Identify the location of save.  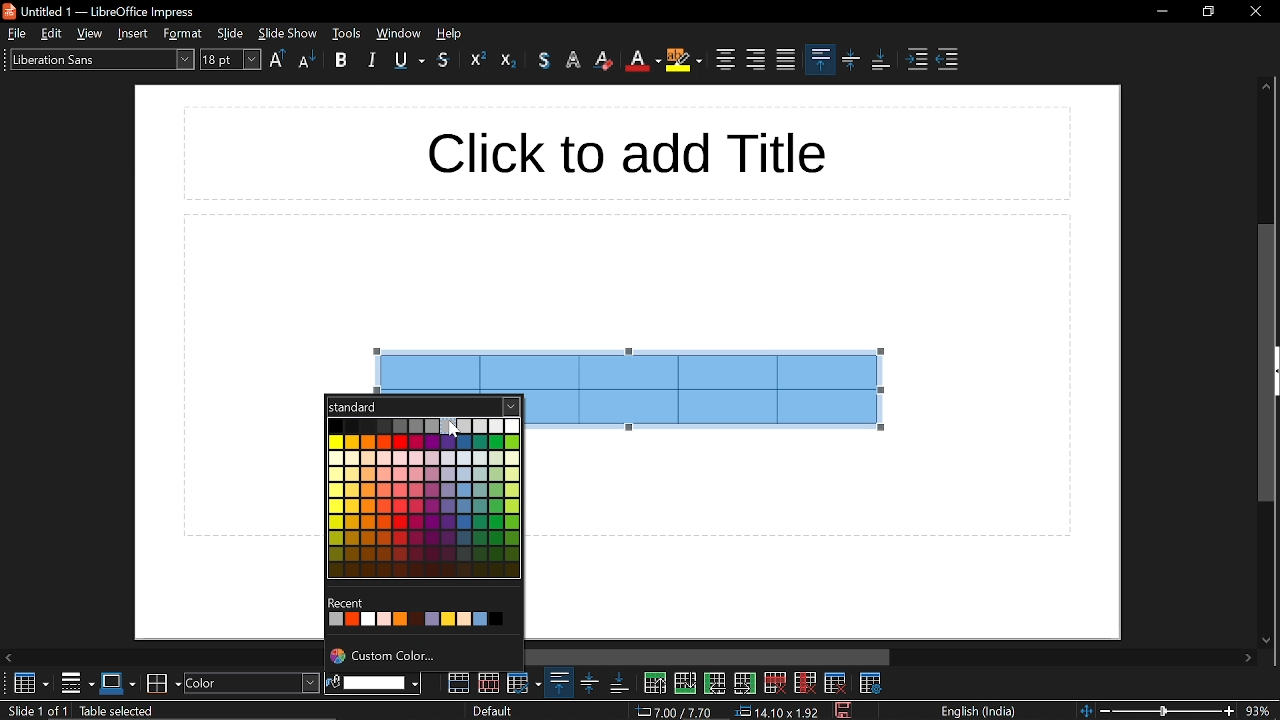
(842, 709).